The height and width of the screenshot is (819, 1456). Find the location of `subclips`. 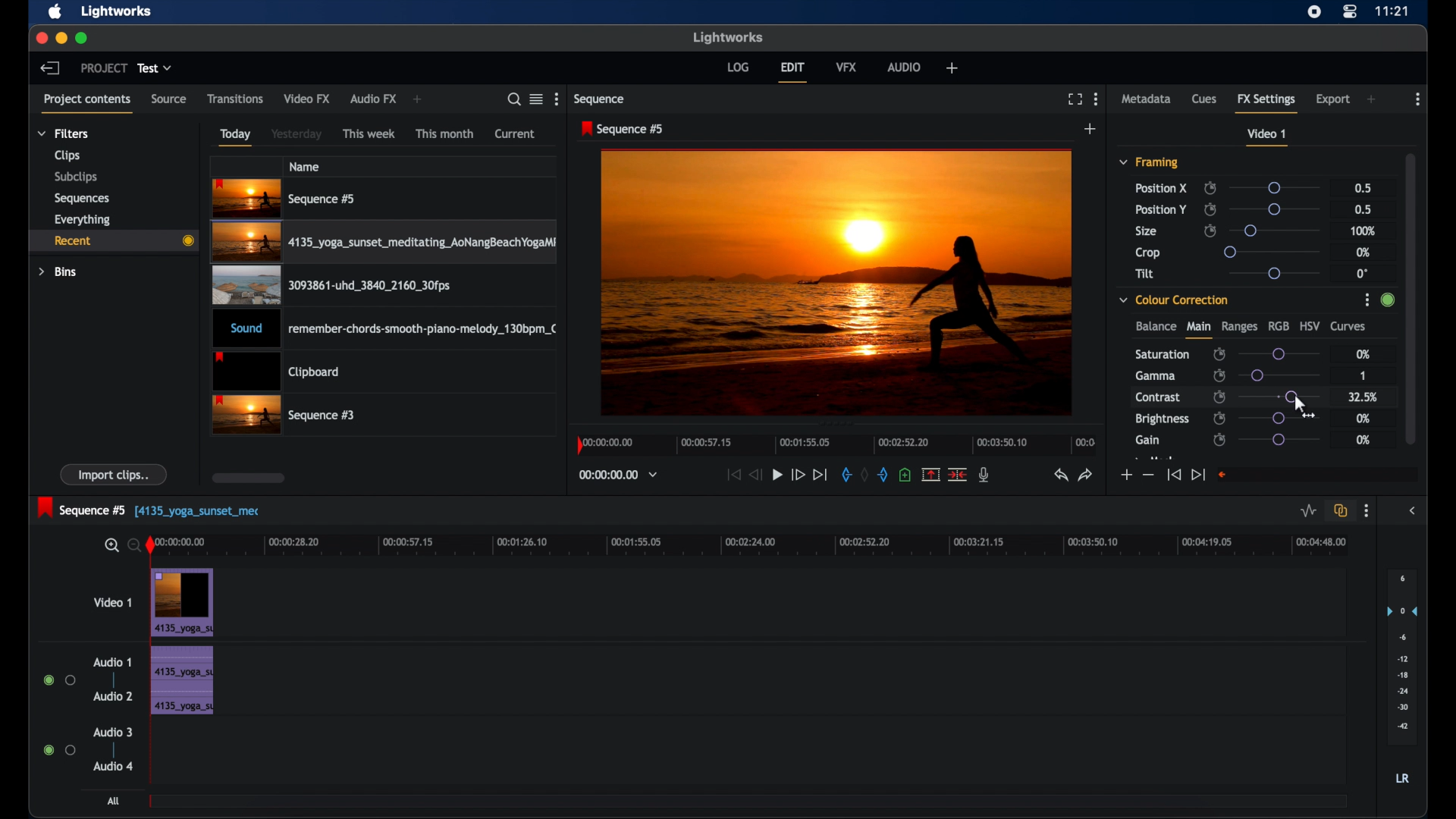

subclips is located at coordinates (77, 177).